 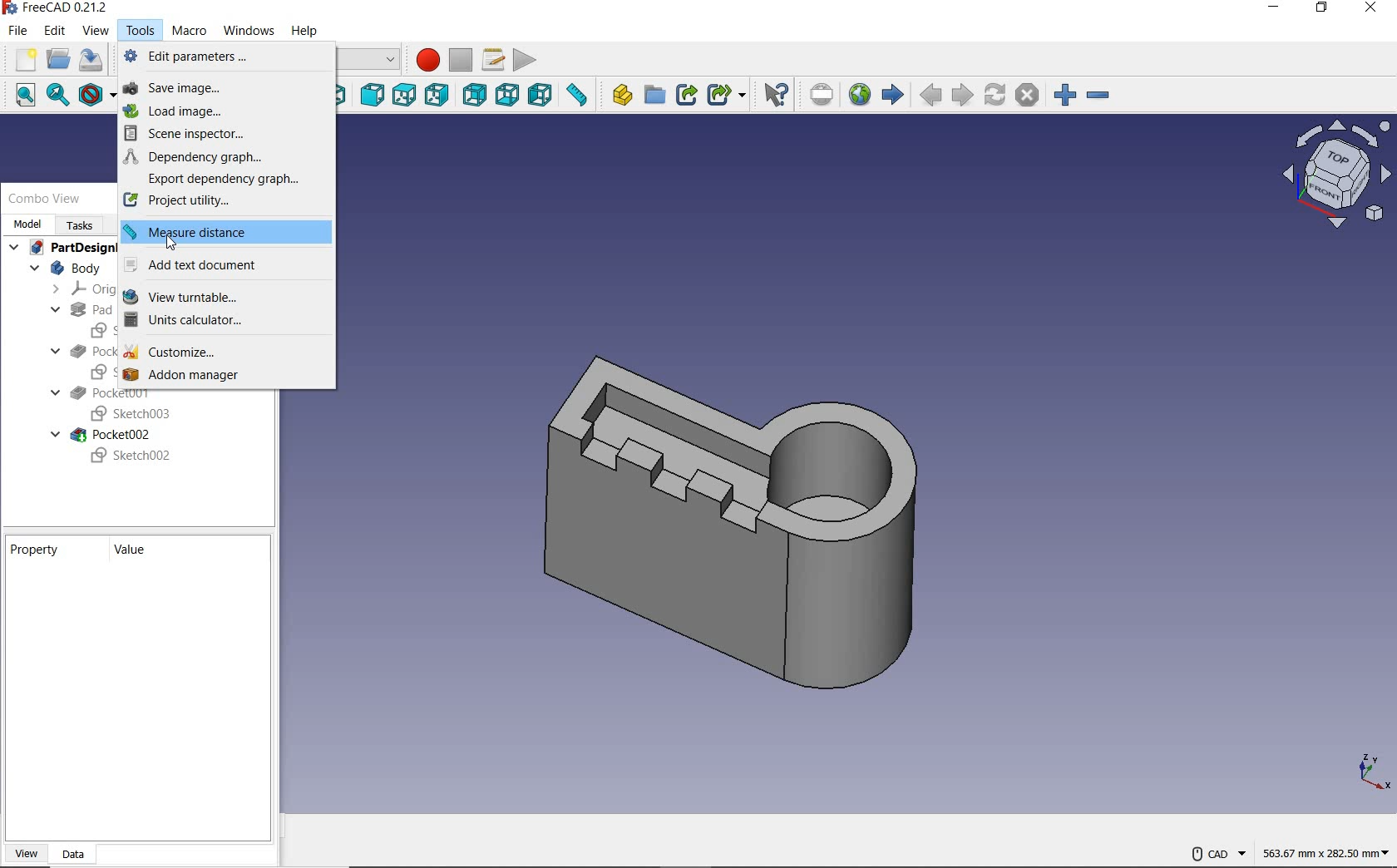 What do you see at coordinates (137, 31) in the screenshot?
I see `tools` at bounding box center [137, 31].